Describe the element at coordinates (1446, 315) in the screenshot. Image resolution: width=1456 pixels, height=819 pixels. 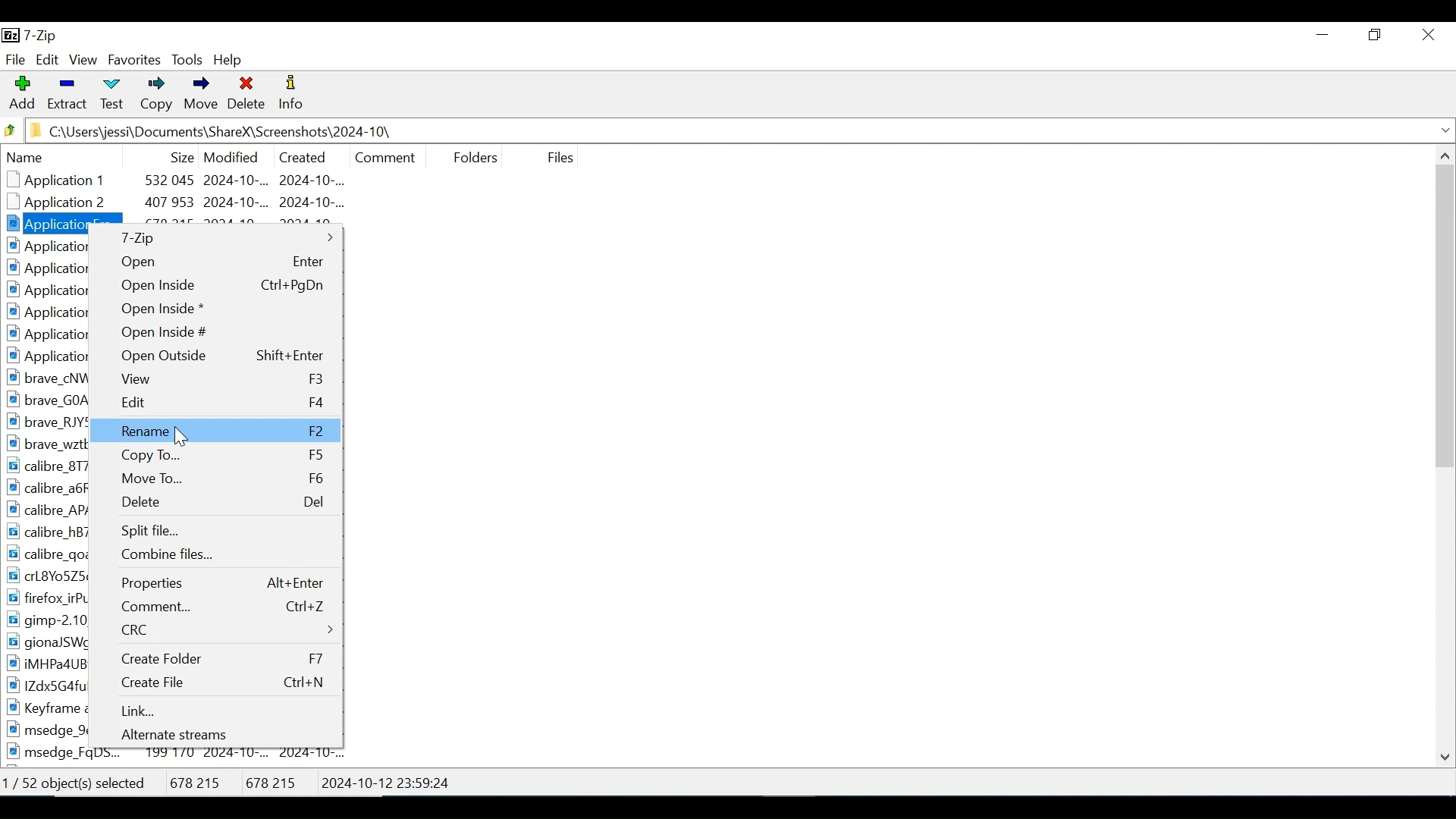
I see `Vertical Scroll bar` at that location.